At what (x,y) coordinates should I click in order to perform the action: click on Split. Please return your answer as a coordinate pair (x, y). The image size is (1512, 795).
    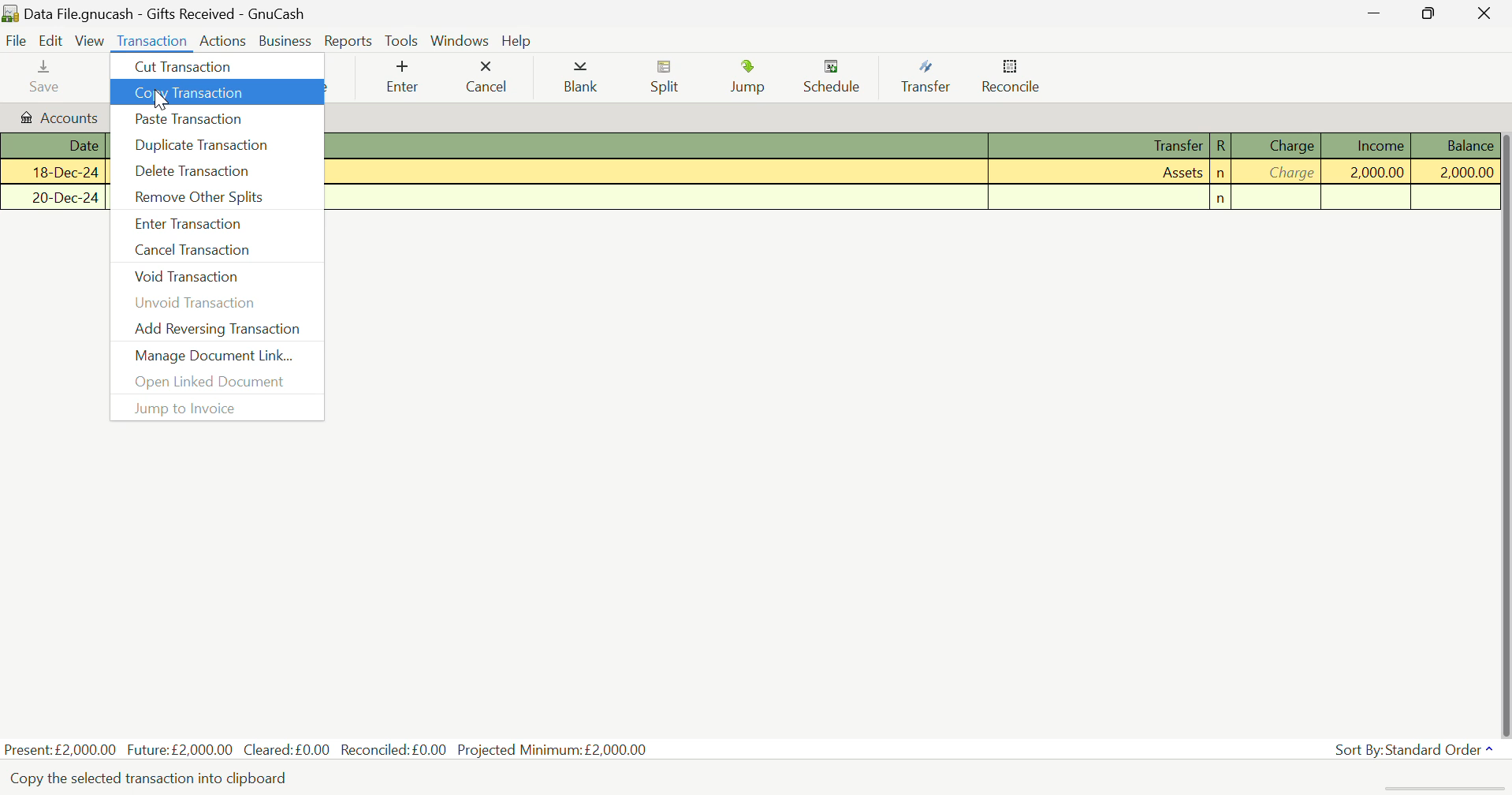
    Looking at the image, I should click on (666, 79).